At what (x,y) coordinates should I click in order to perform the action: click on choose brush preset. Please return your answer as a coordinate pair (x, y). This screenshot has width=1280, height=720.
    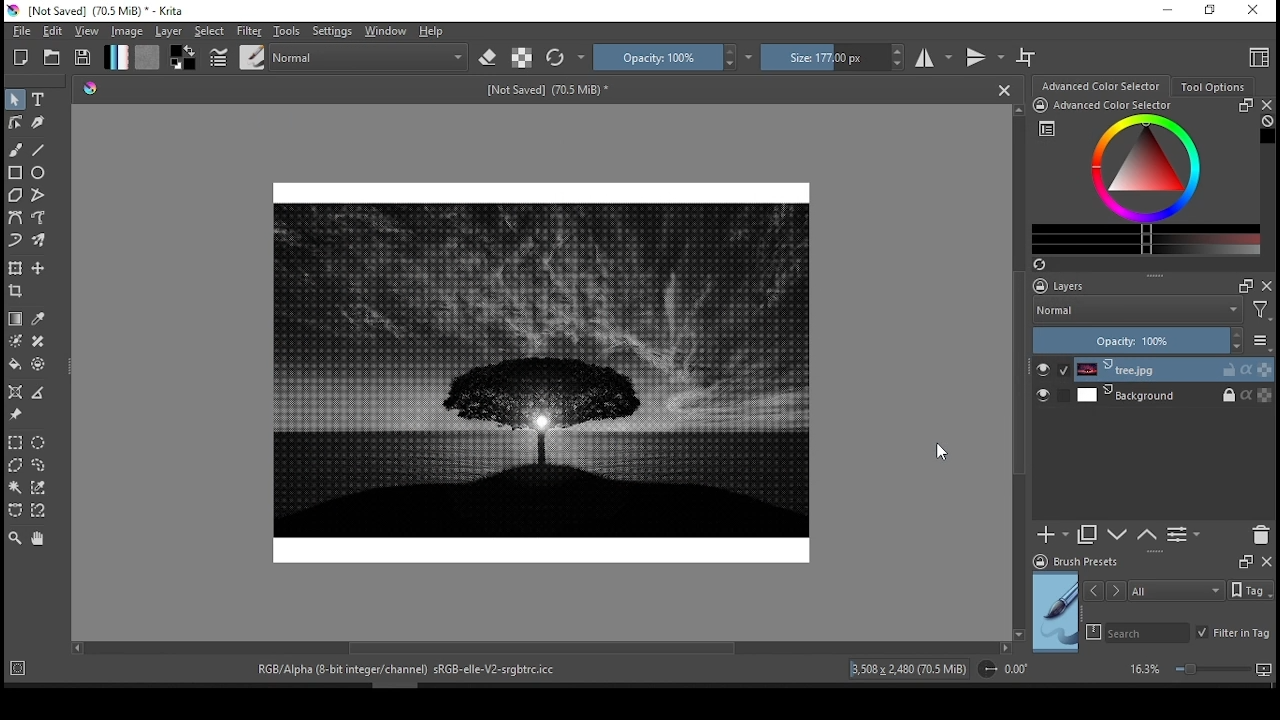
    Looking at the image, I should click on (252, 57).